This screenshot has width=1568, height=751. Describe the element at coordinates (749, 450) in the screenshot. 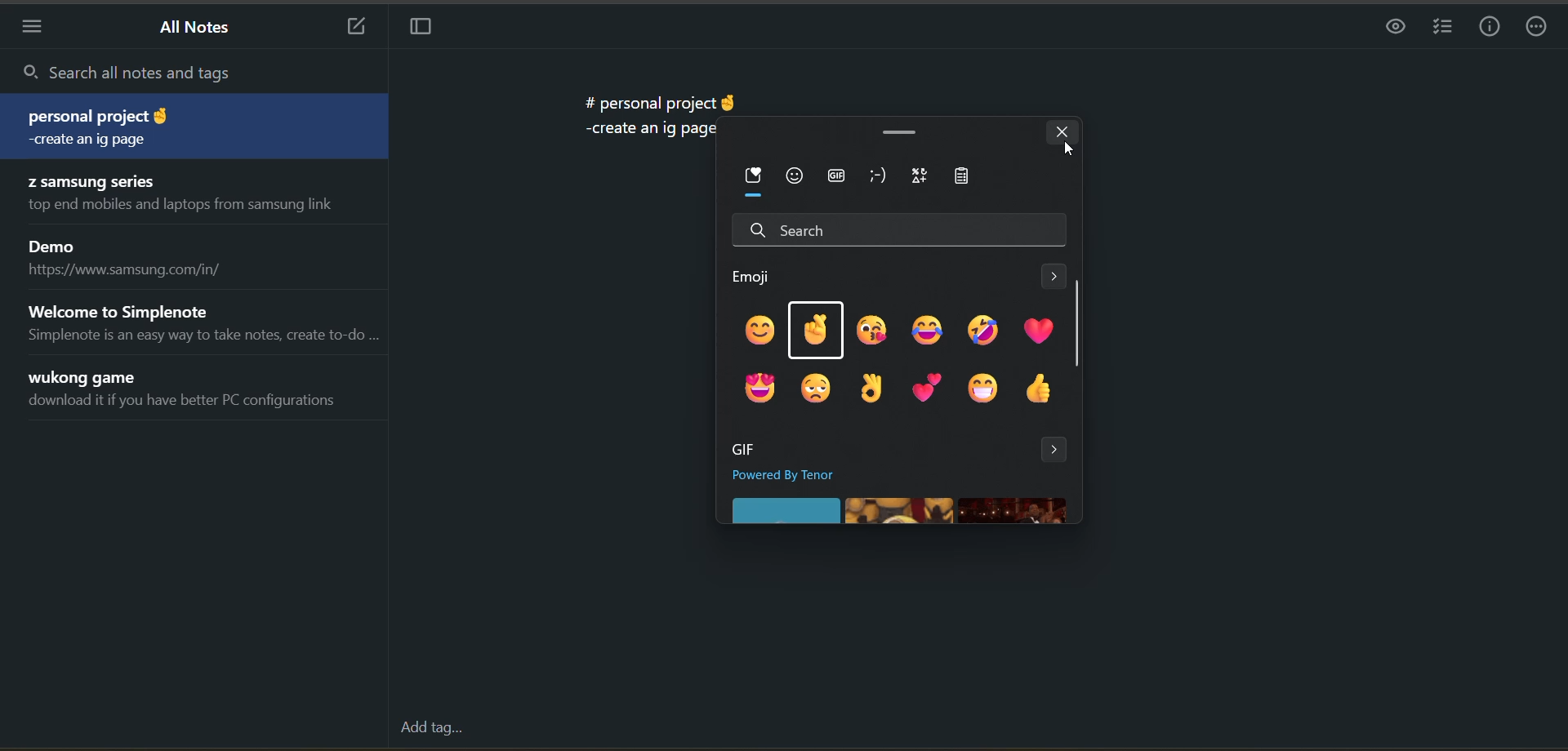

I see `gif` at that location.